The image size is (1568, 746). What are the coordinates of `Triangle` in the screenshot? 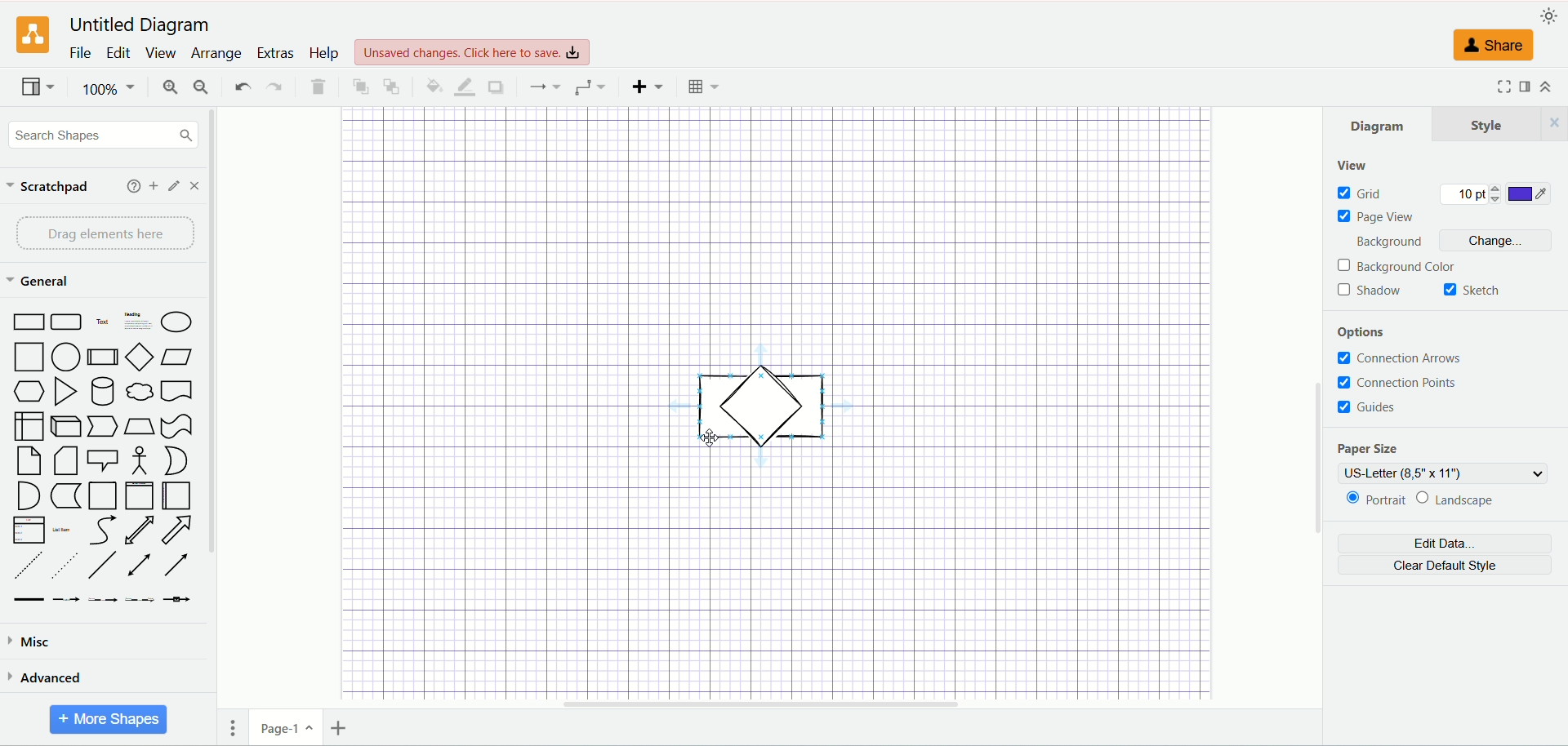 It's located at (67, 392).